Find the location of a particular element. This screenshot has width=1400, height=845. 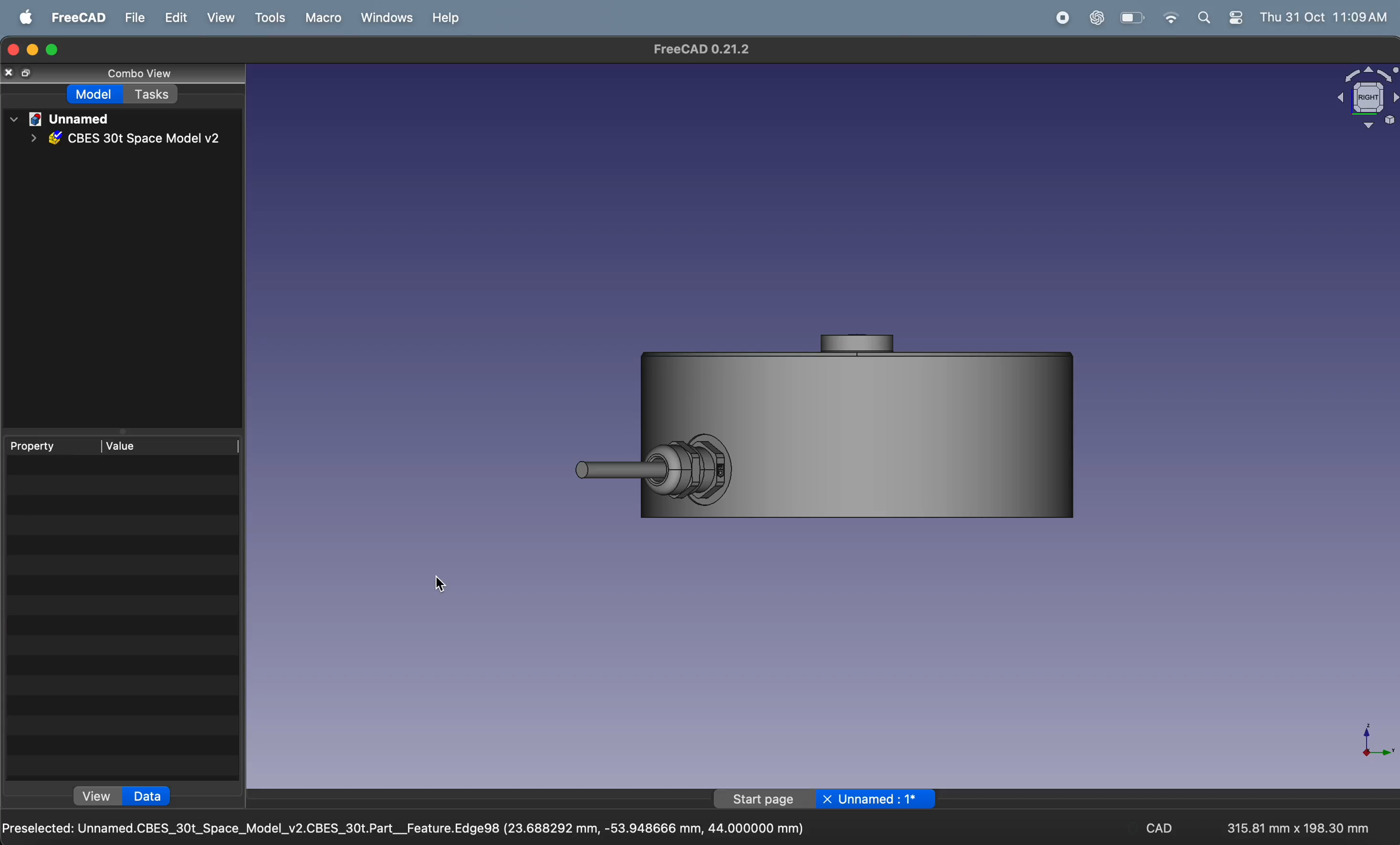

apple widgets is located at coordinates (1218, 18).